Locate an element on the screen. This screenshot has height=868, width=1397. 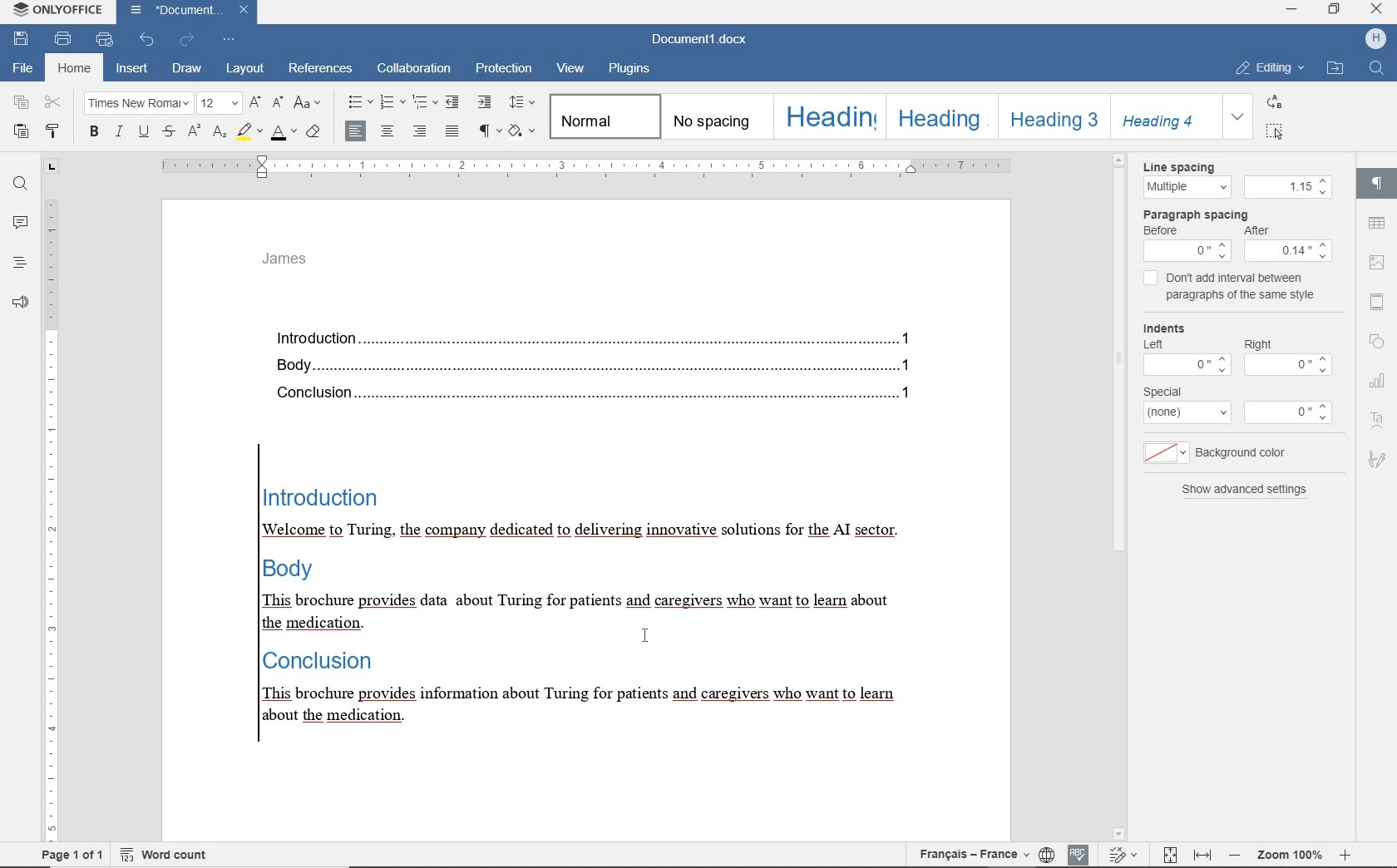
editing is located at coordinates (1271, 68).